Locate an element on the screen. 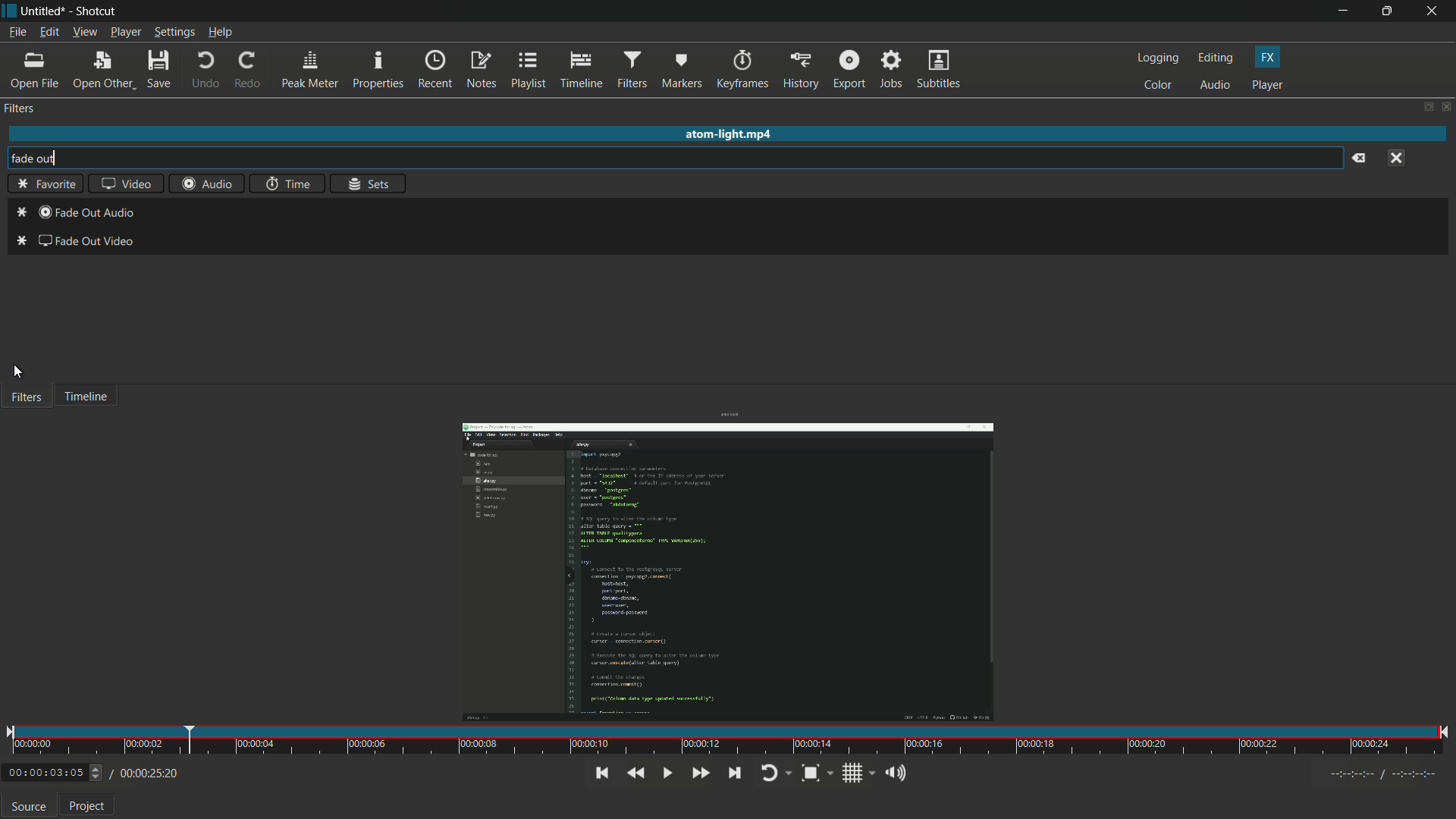  favorite is located at coordinates (42, 185).